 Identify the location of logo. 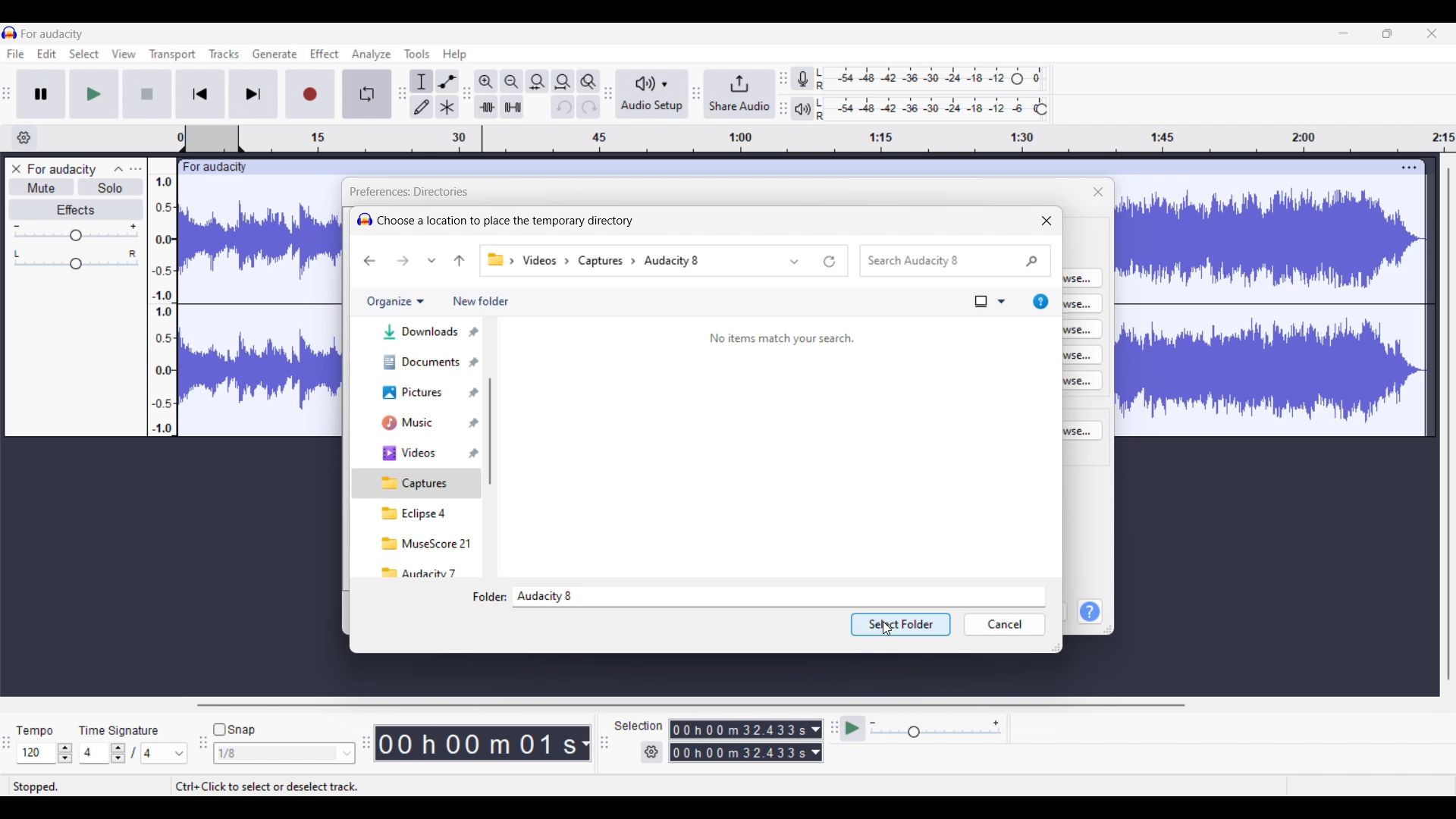
(362, 219).